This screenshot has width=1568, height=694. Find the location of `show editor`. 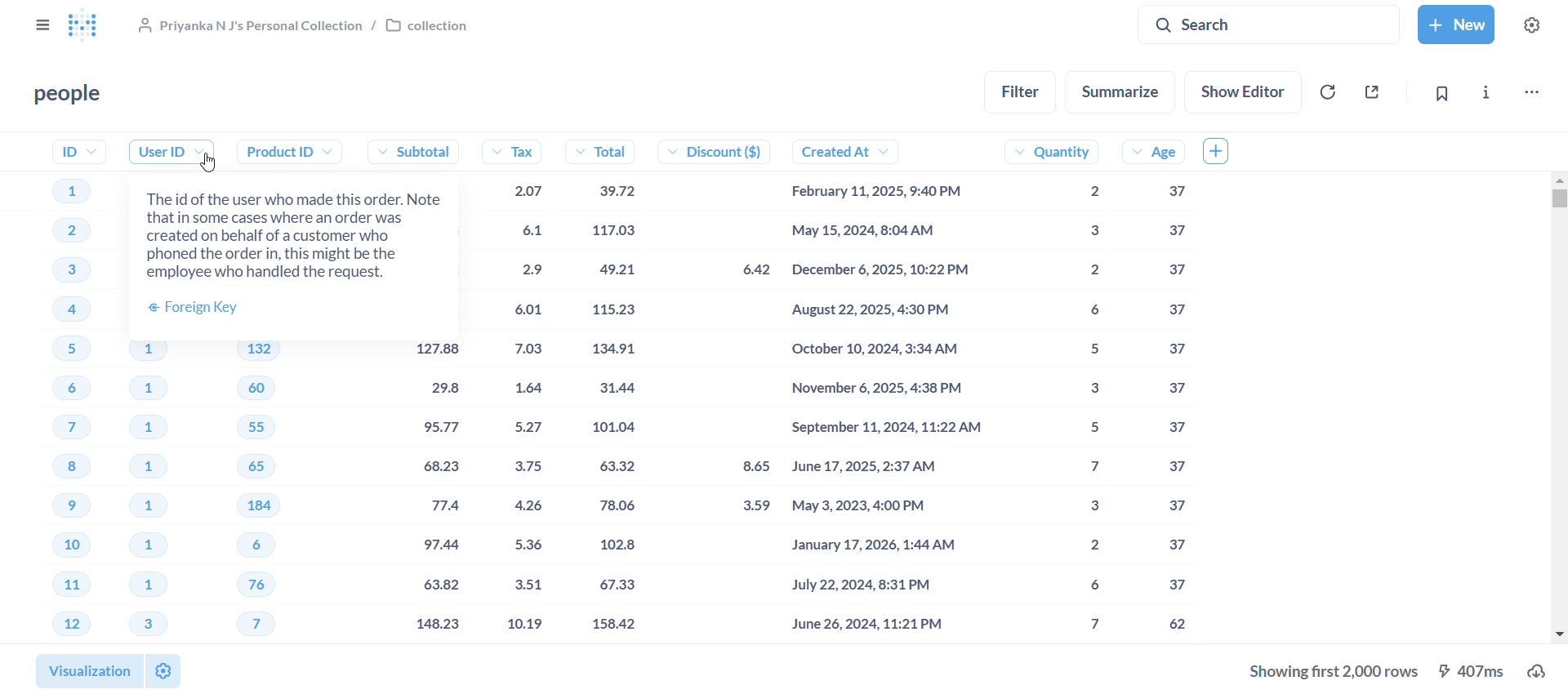

show editor is located at coordinates (1241, 91).